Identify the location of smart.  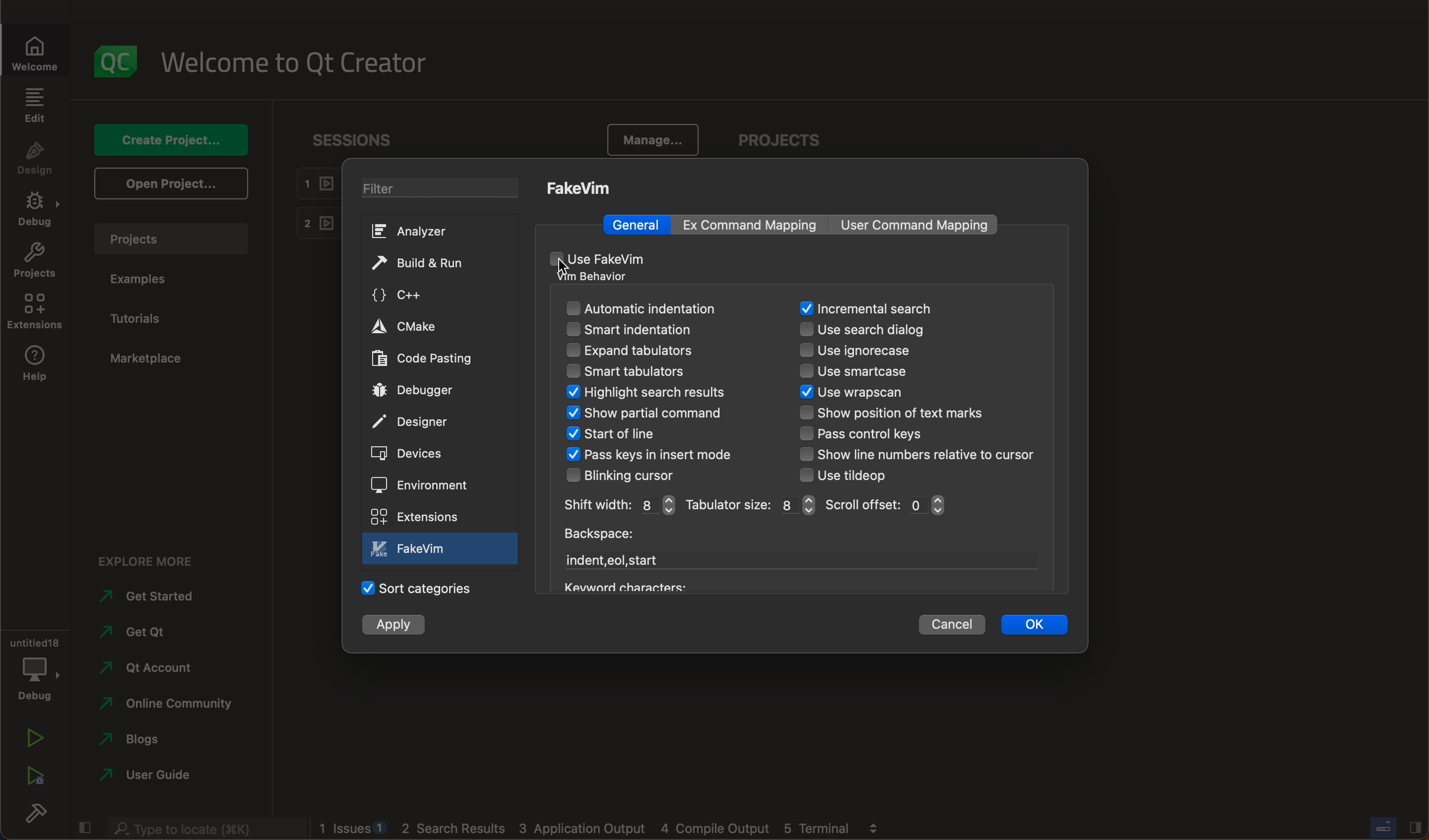
(653, 329).